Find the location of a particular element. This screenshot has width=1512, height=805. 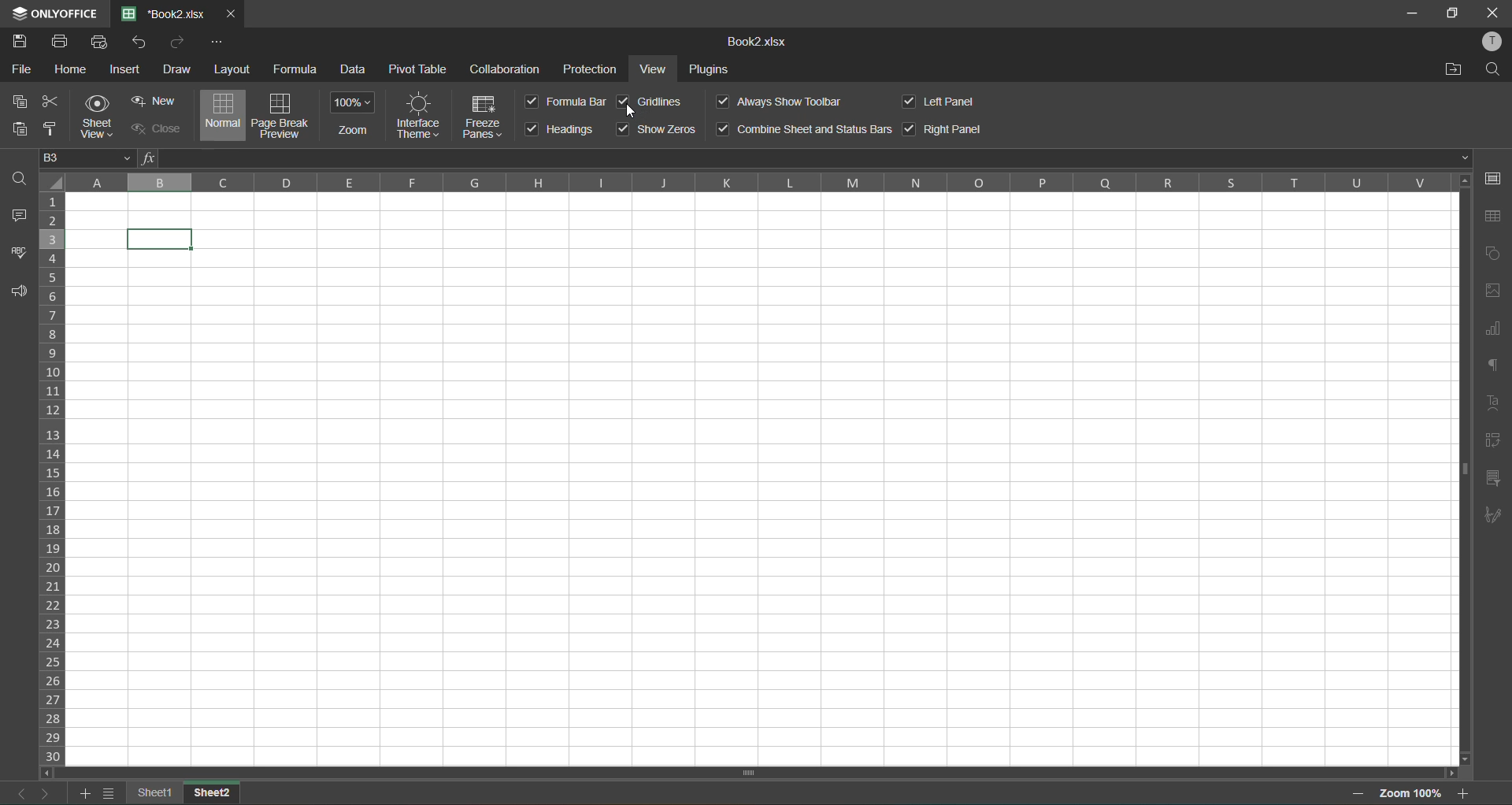

plugins is located at coordinates (713, 71).